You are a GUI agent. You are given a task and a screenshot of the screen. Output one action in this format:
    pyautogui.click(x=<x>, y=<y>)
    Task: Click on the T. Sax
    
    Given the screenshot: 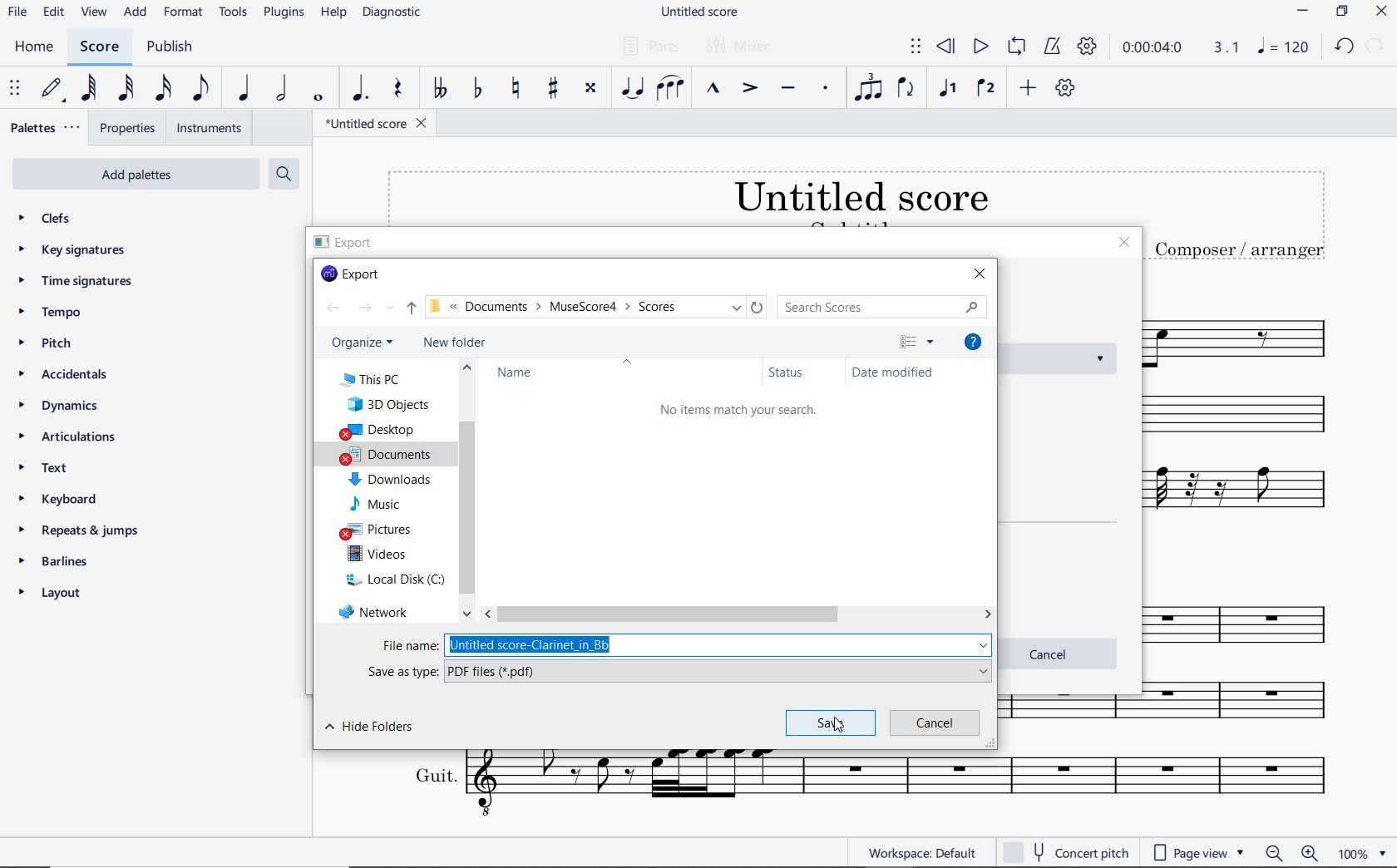 What is the action you would take?
    pyautogui.click(x=1244, y=620)
    